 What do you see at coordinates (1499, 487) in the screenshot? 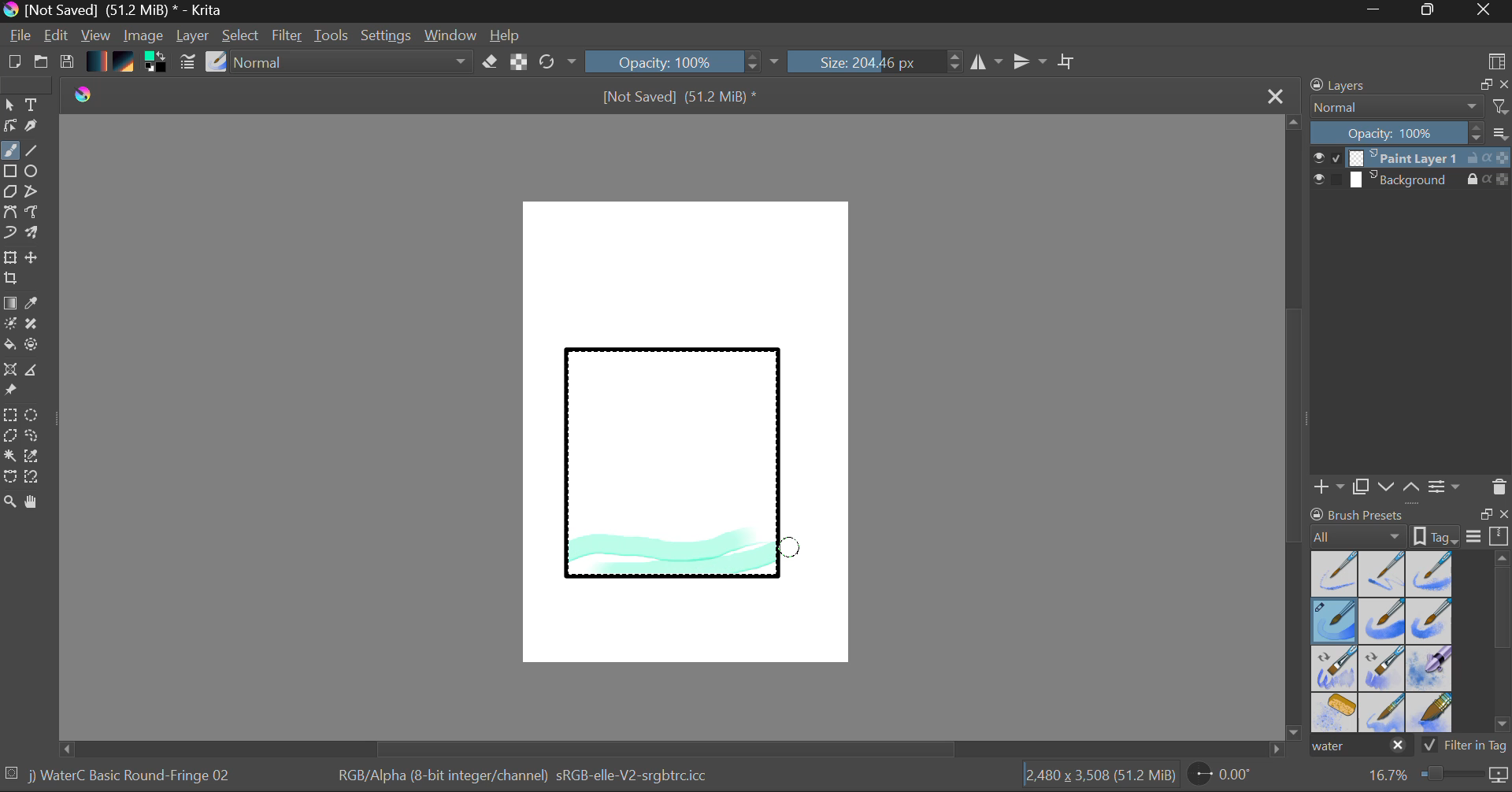
I see `Delete Layer` at bounding box center [1499, 487].